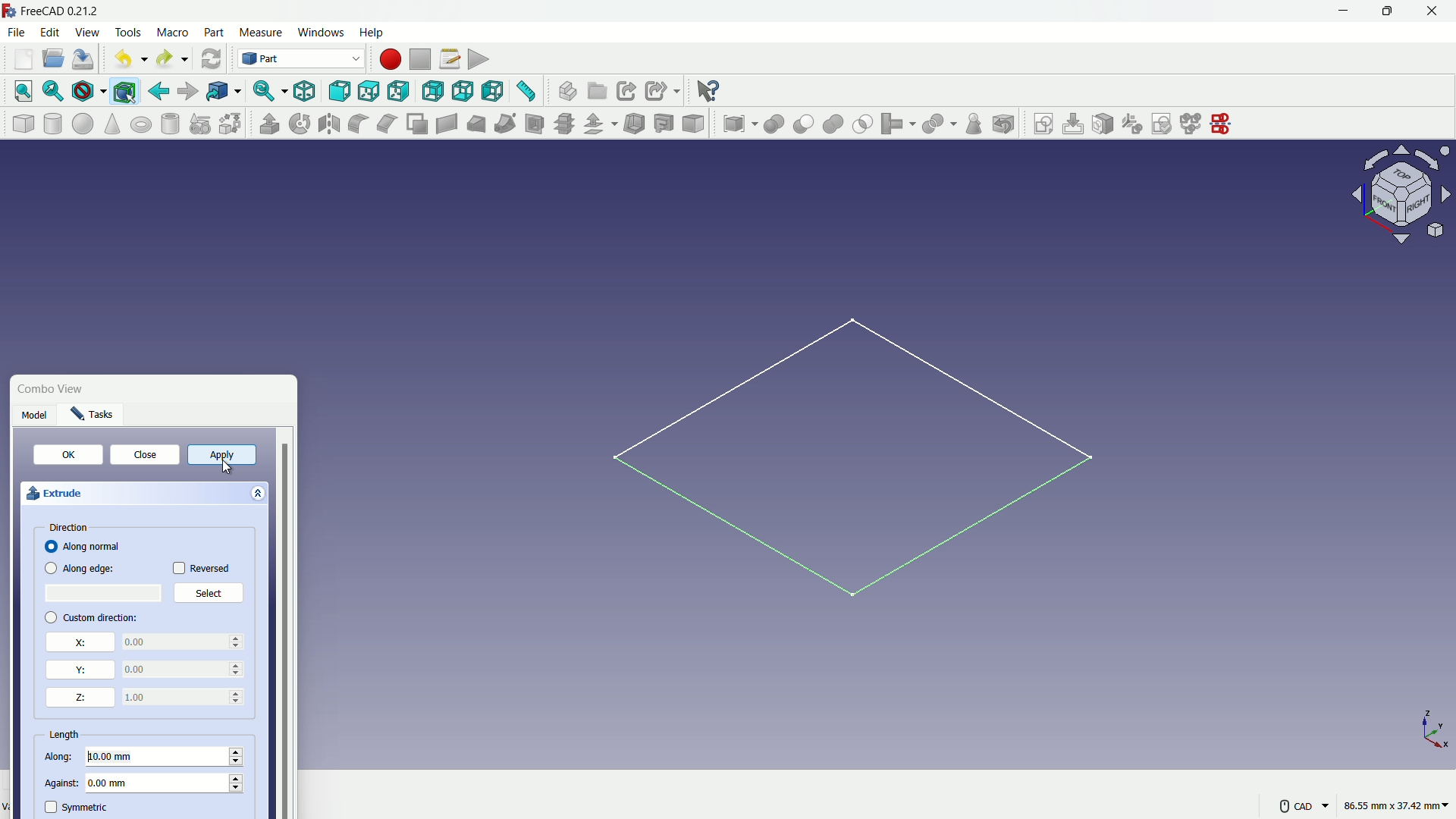  I want to click on left view, so click(492, 90).